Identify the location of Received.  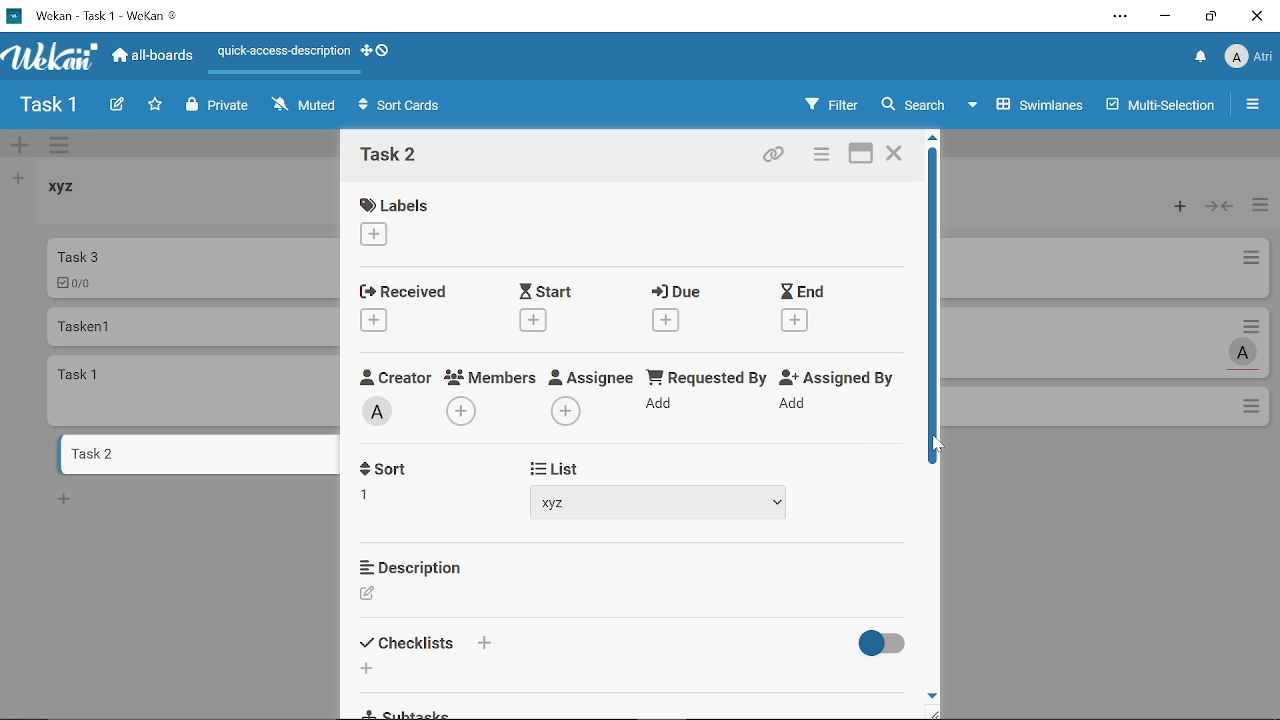
(405, 293).